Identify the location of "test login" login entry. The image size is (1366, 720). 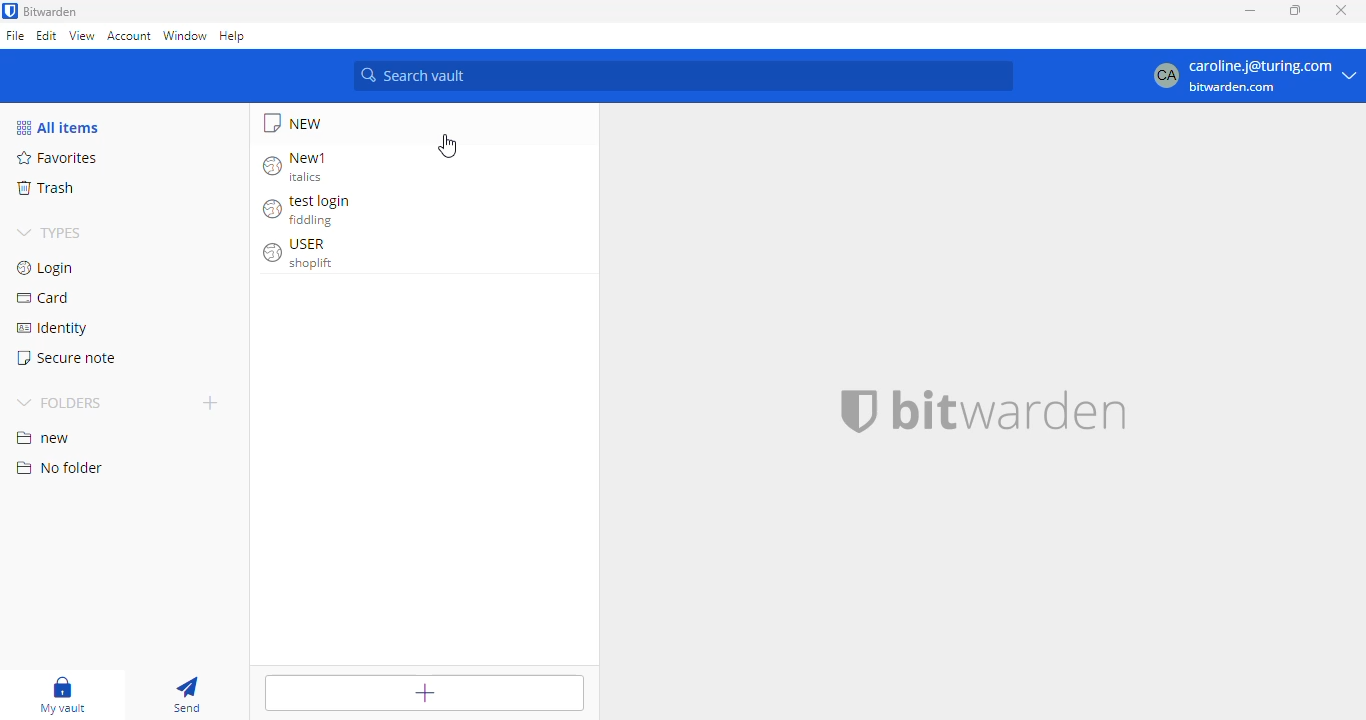
(310, 209).